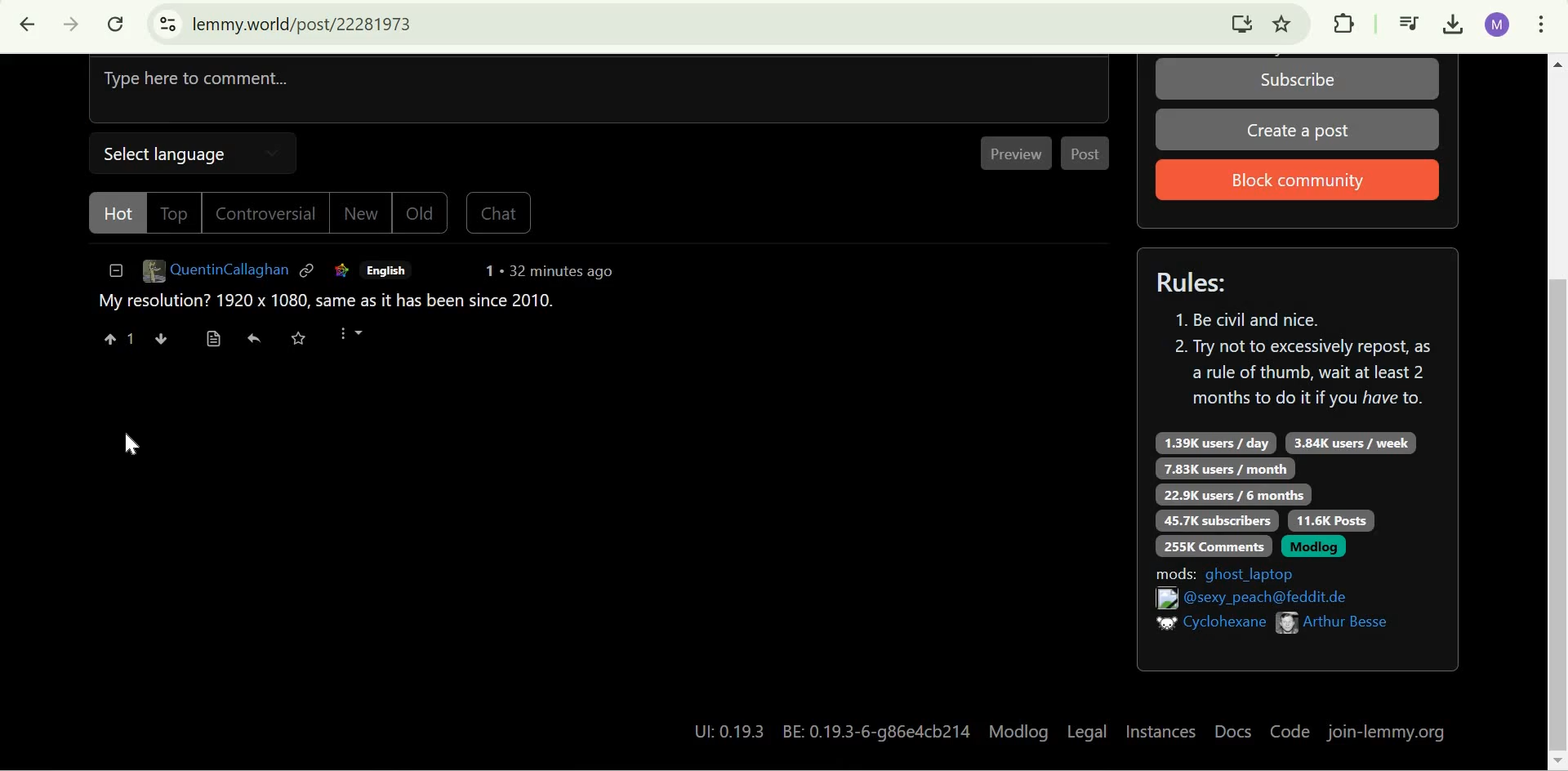 This screenshot has width=1568, height=771. I want to click on Hot, so click(114, 216).